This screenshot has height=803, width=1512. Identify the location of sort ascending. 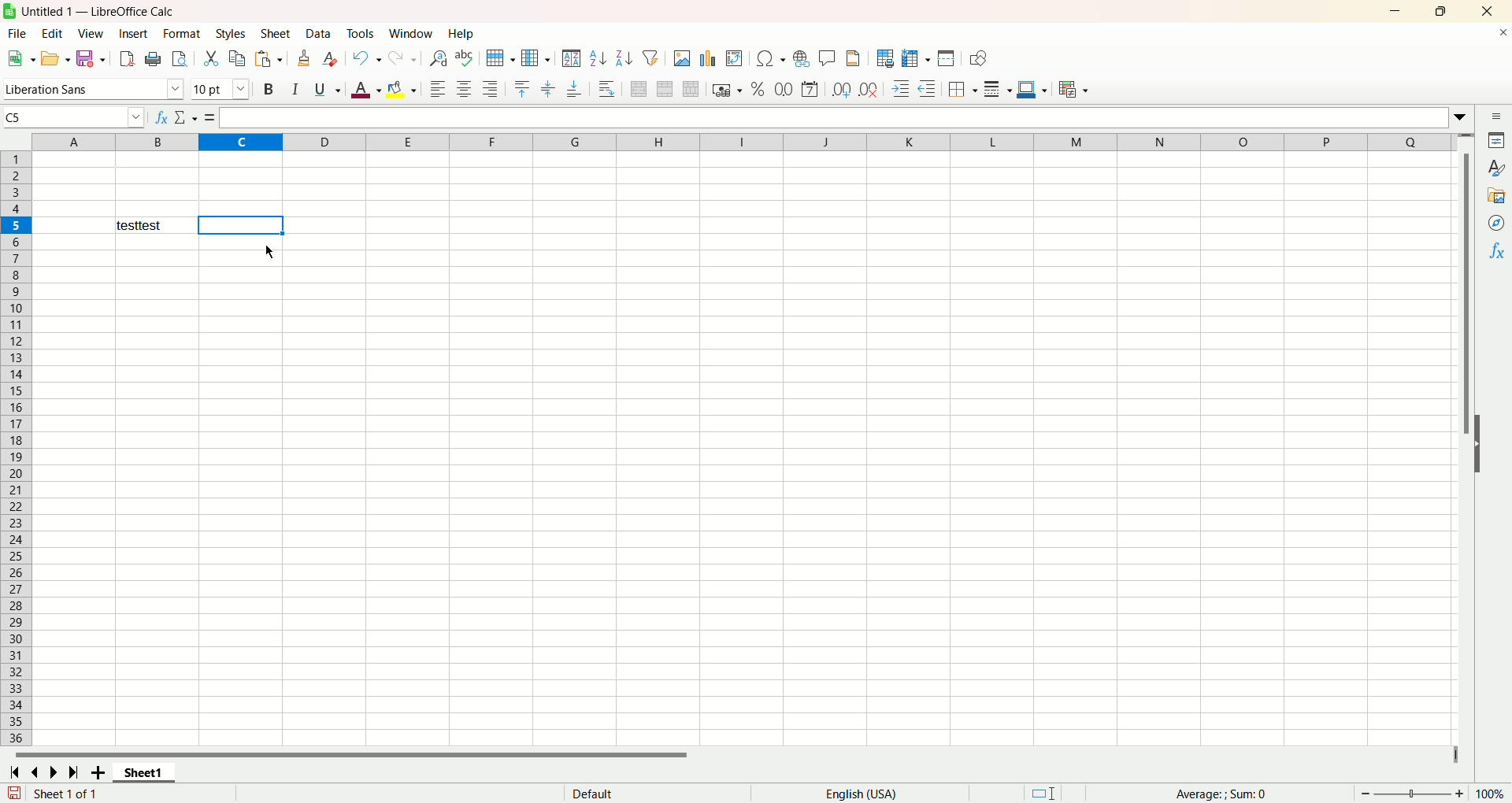
(597, 57).